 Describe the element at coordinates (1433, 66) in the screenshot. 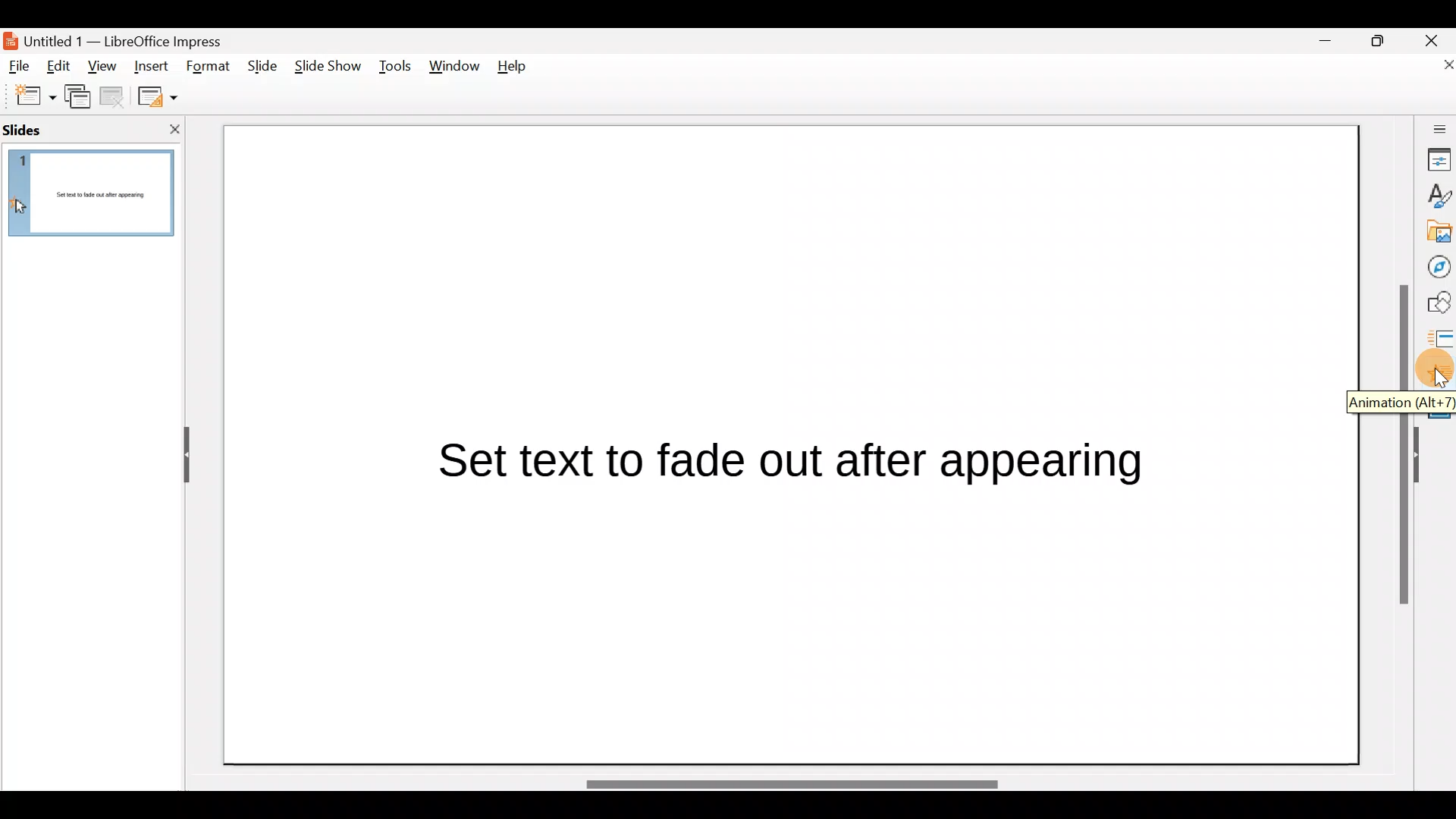

I see `Close document` at that location.